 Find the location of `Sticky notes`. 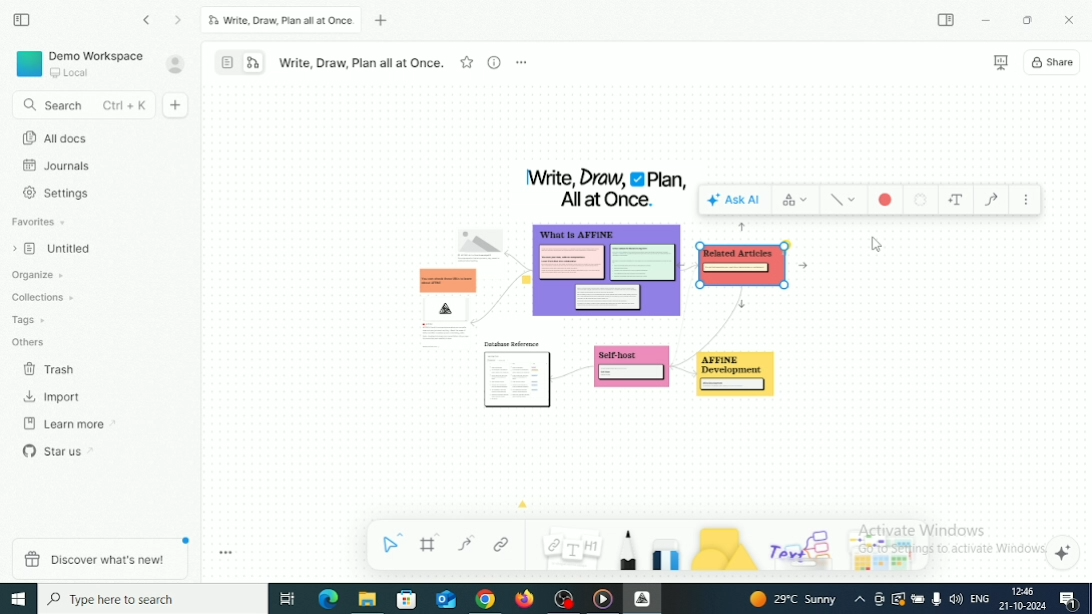

Sticky notes is located at coordinates (609, 275).